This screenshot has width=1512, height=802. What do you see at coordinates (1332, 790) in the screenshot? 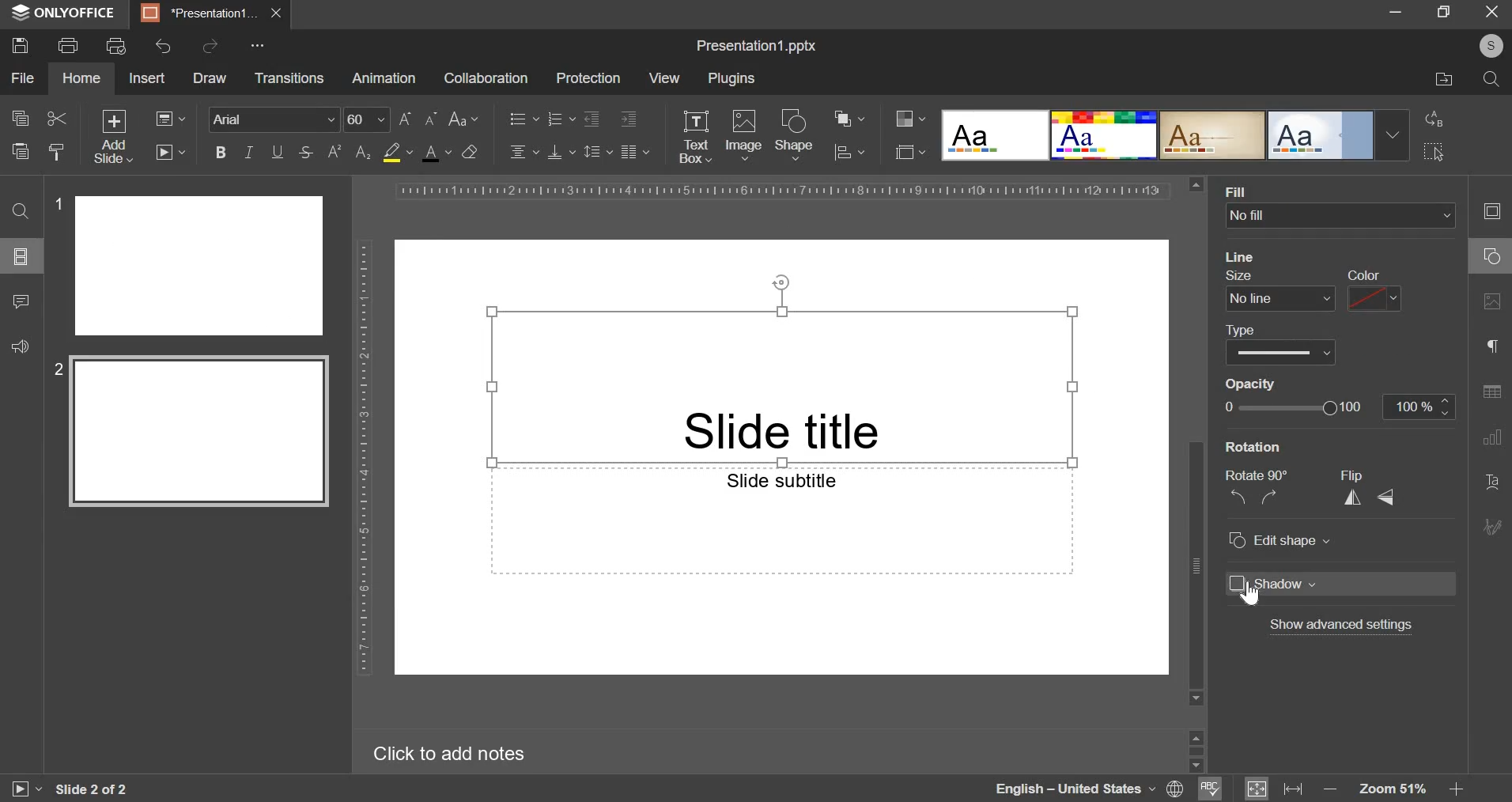
I see `zoom out` at bounding box center [1332, 790].